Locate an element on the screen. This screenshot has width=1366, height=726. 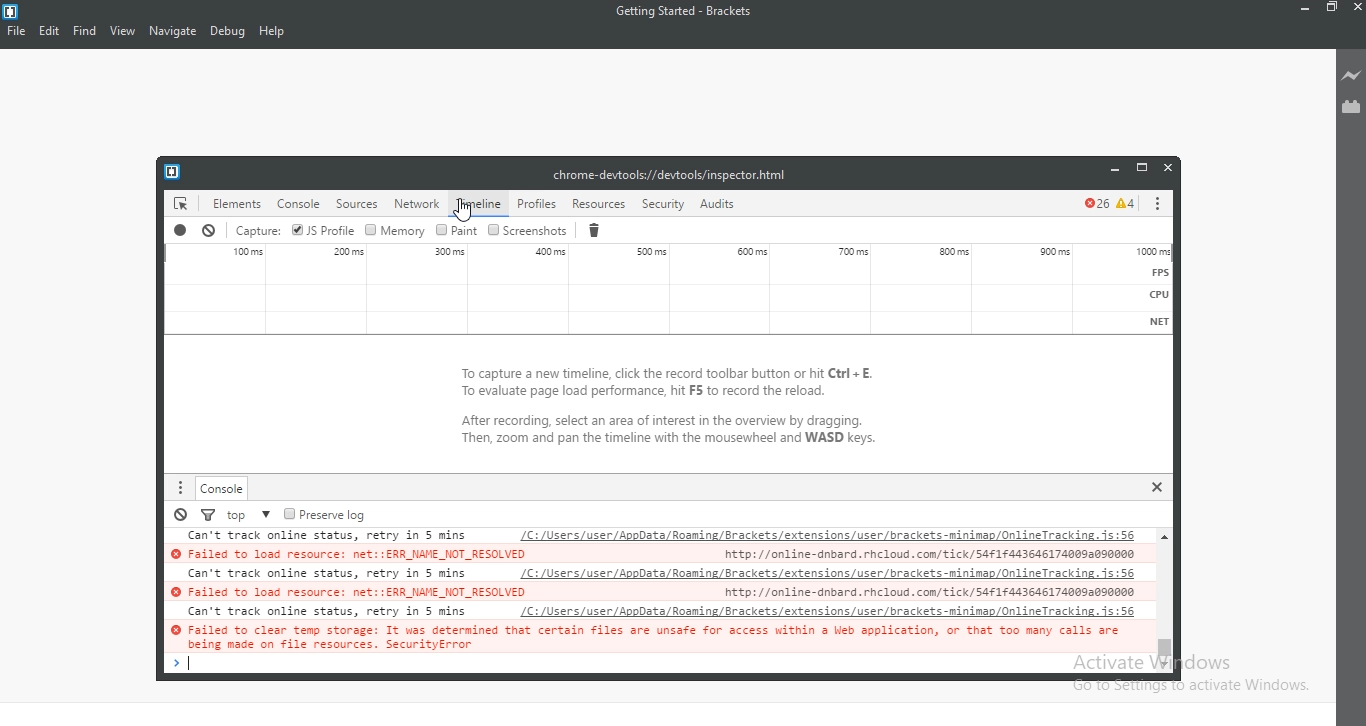
Live preview is located at coordinates (1351, 75).